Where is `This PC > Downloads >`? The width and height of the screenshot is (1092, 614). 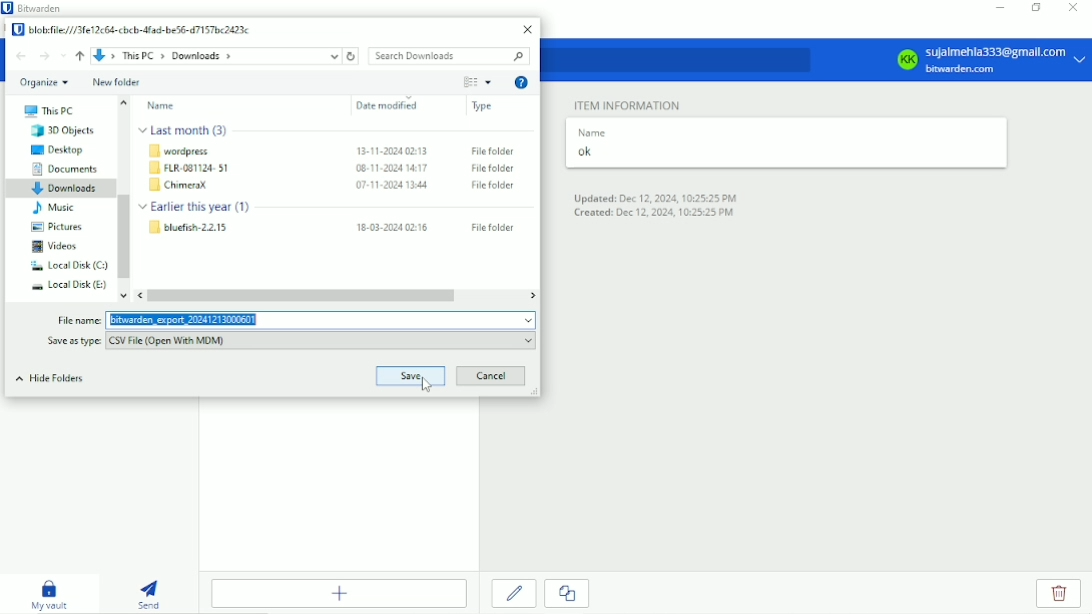
This PC > Downloads > is located at coordinates (219, 57).